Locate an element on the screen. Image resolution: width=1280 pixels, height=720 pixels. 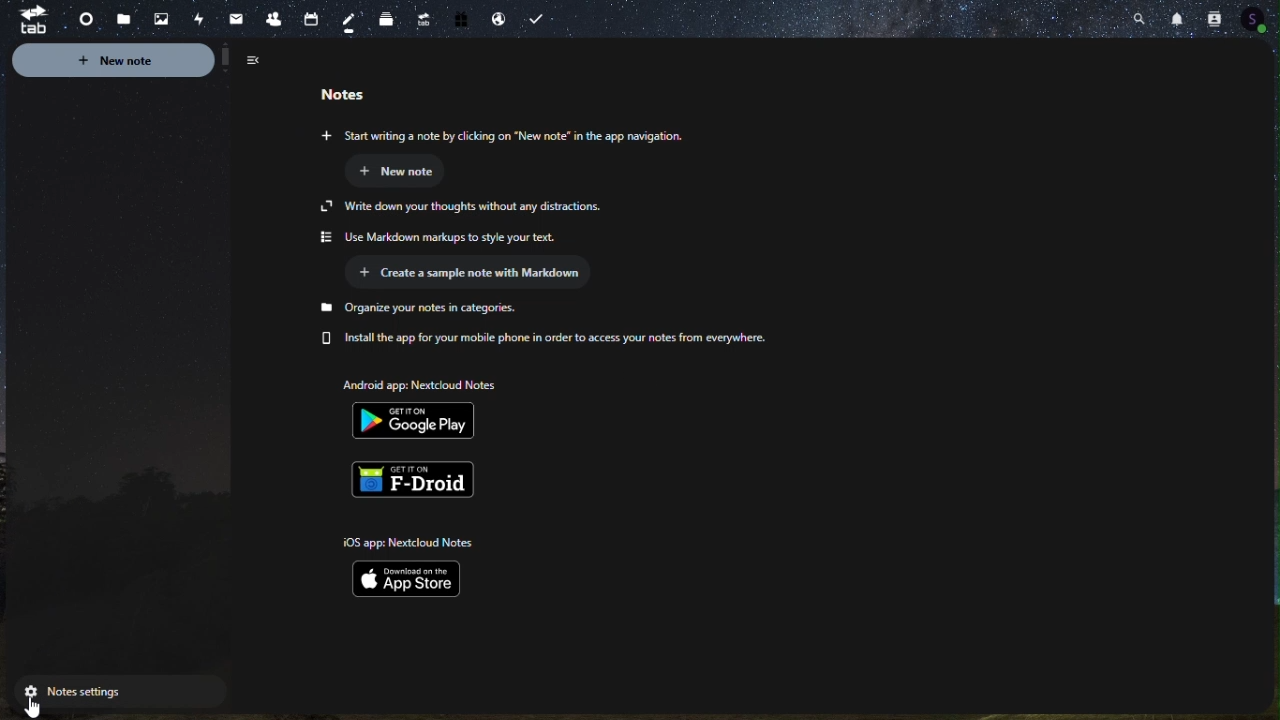
Android app: Nextcloud Notes is located at coordinates (418, 383).